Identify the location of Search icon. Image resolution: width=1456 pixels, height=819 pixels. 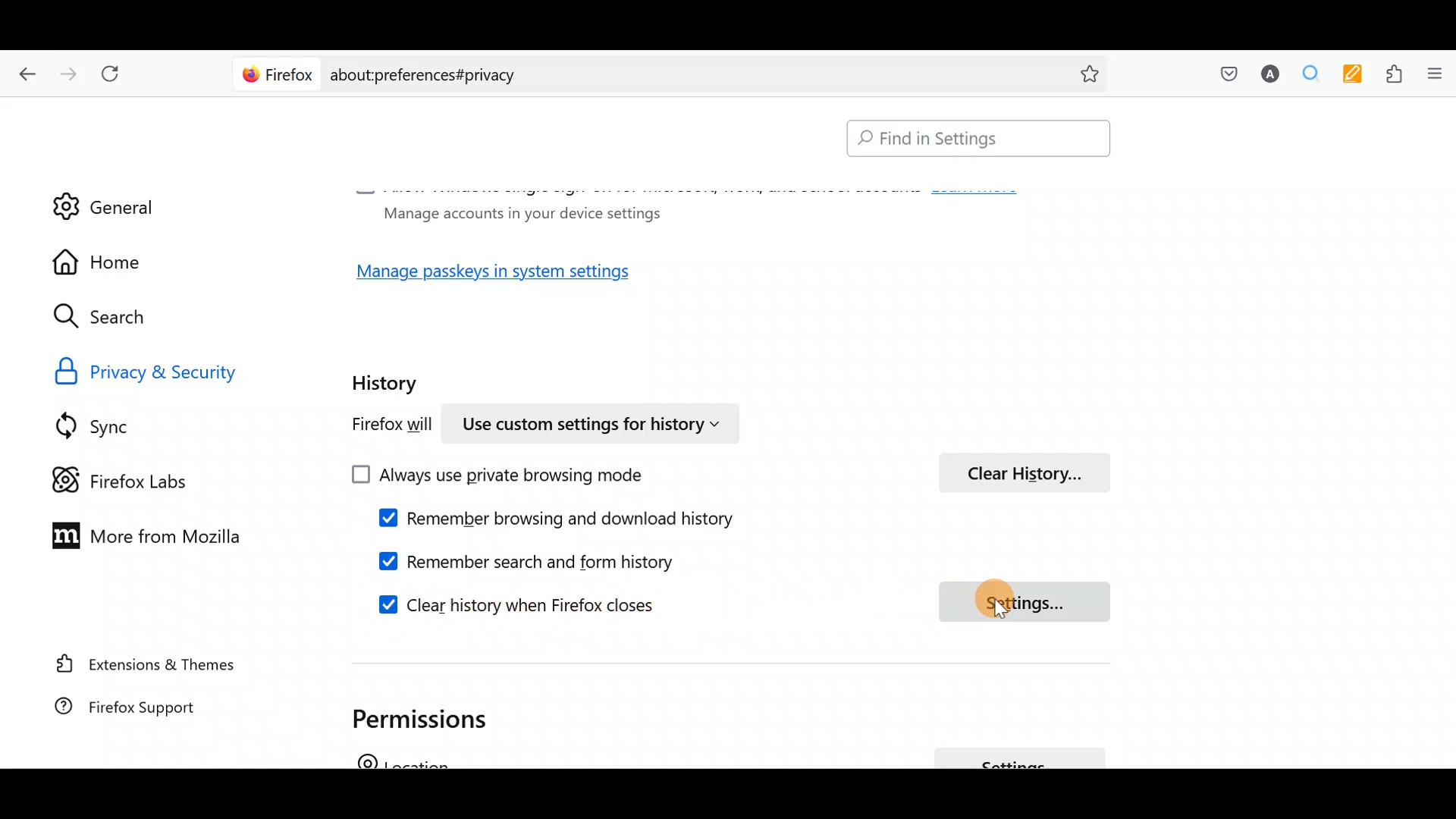
(115, 317).